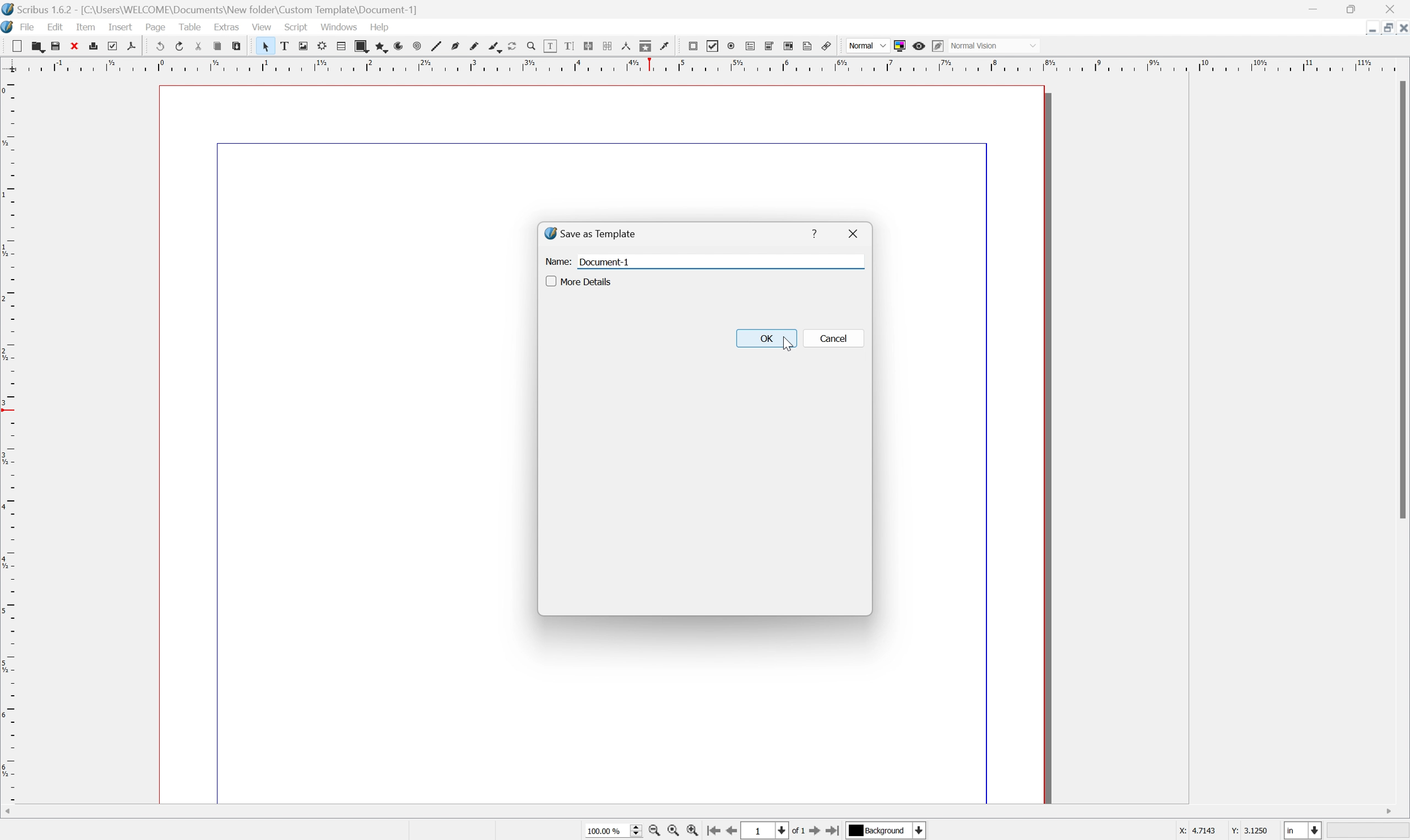 This screenshot has width=1410, height=840. Describe the element at coordinates (218, 46) in the screenshot. I see `copy` at that location.